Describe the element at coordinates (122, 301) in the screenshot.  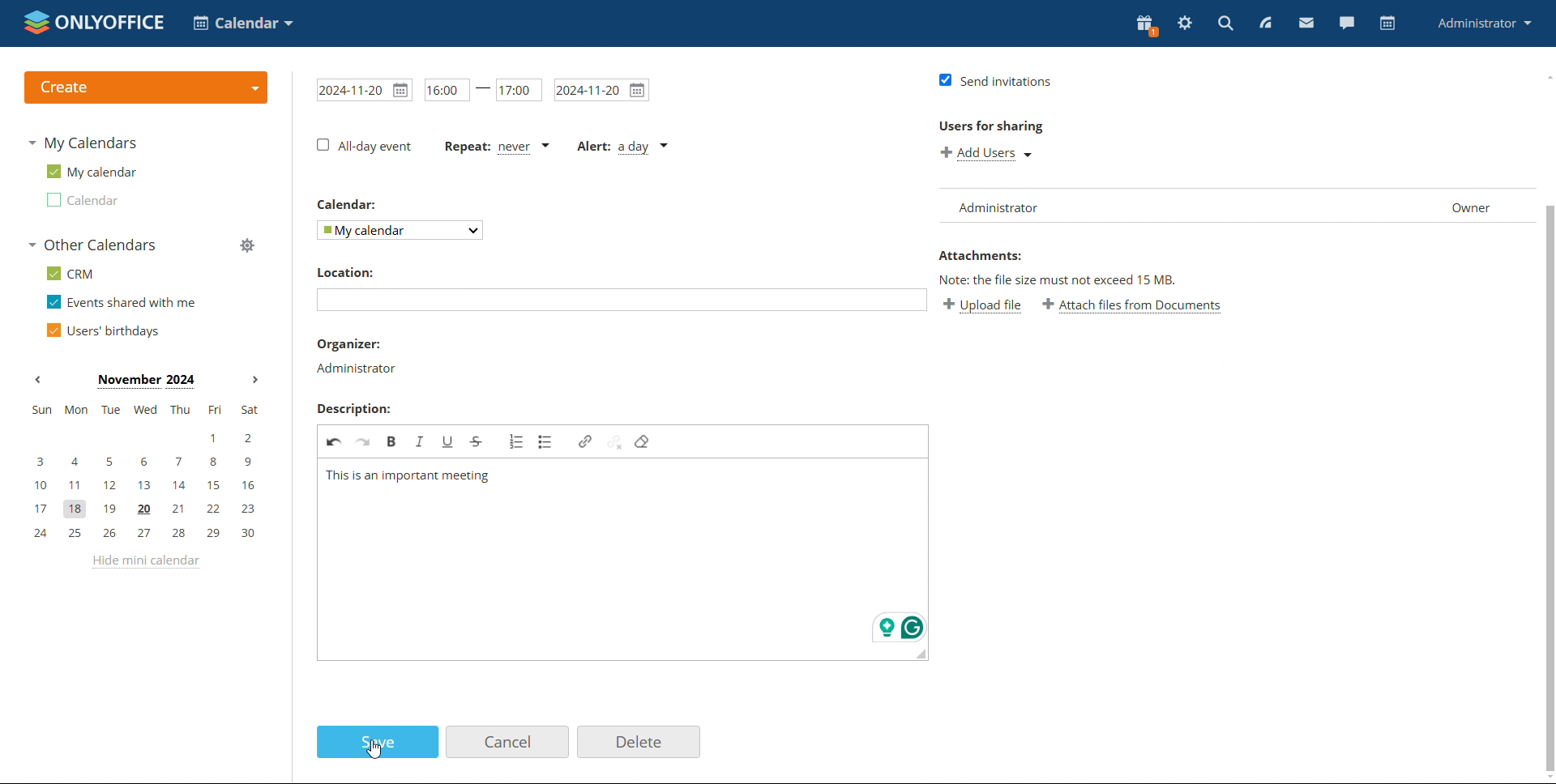
I see `events shared with me` at that location.